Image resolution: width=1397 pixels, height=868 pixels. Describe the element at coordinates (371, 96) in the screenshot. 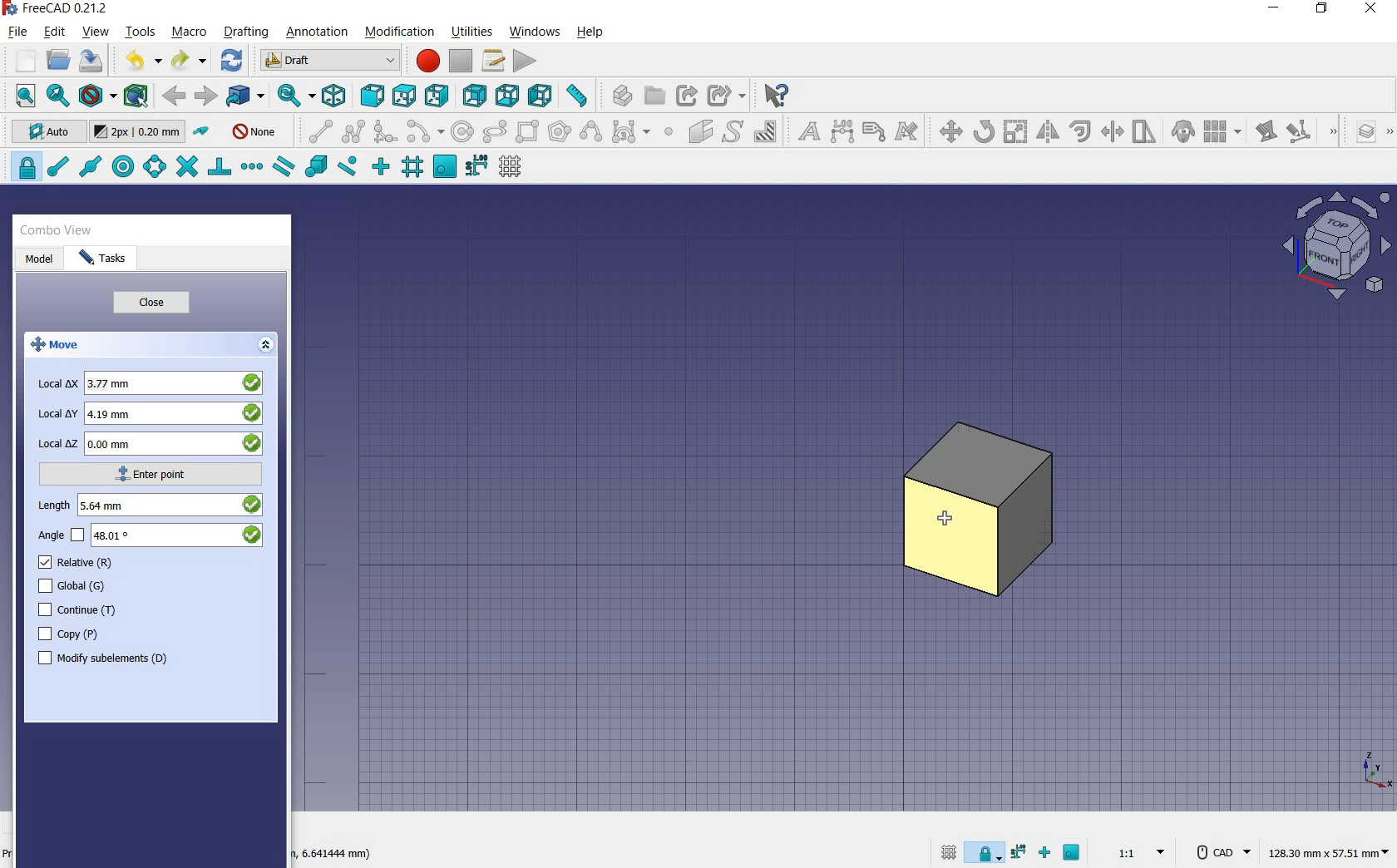

I see `front` at that location.